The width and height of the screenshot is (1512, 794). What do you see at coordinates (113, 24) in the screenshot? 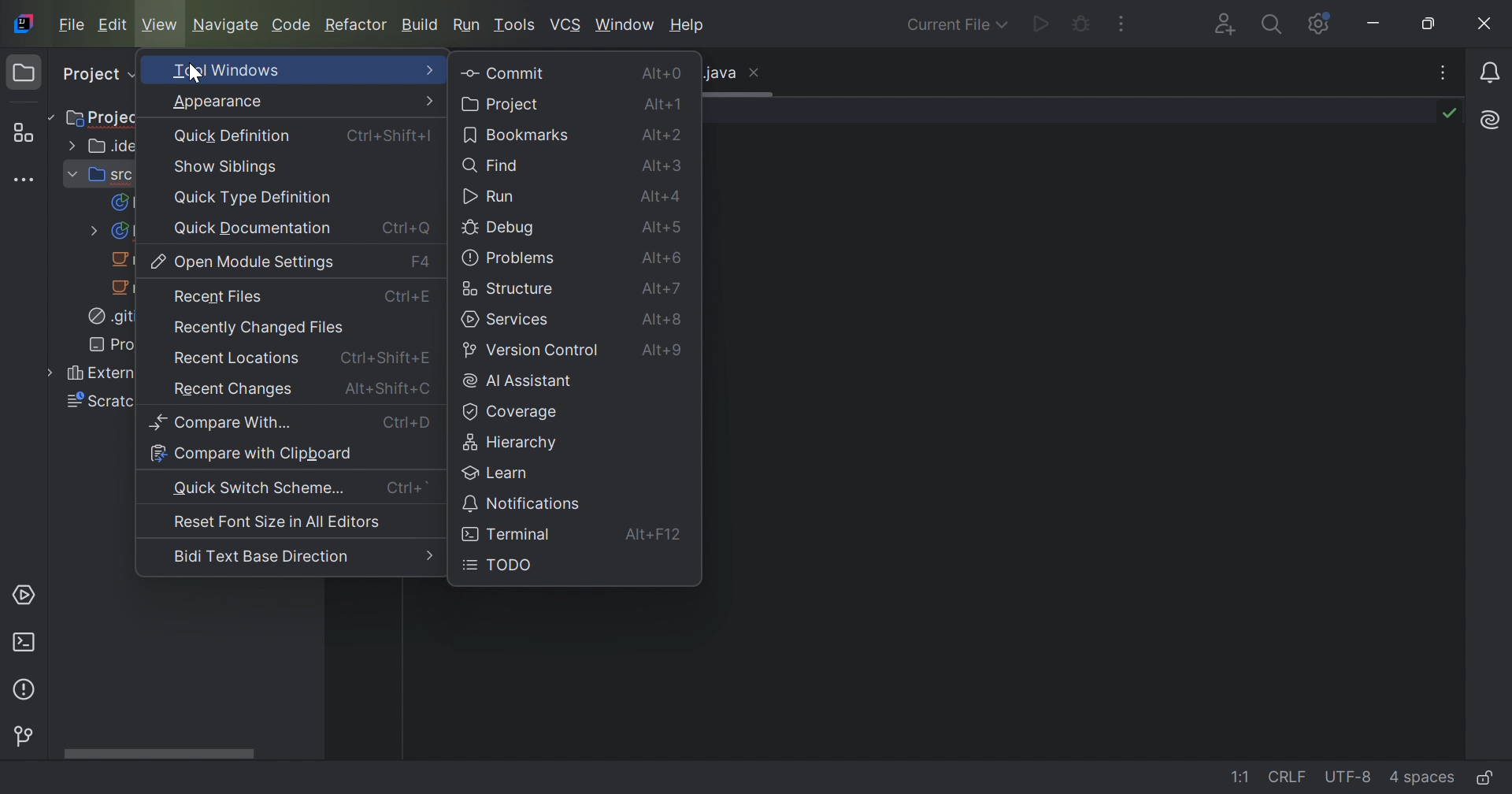
I see `Edit` at bounding box center [113, 24].